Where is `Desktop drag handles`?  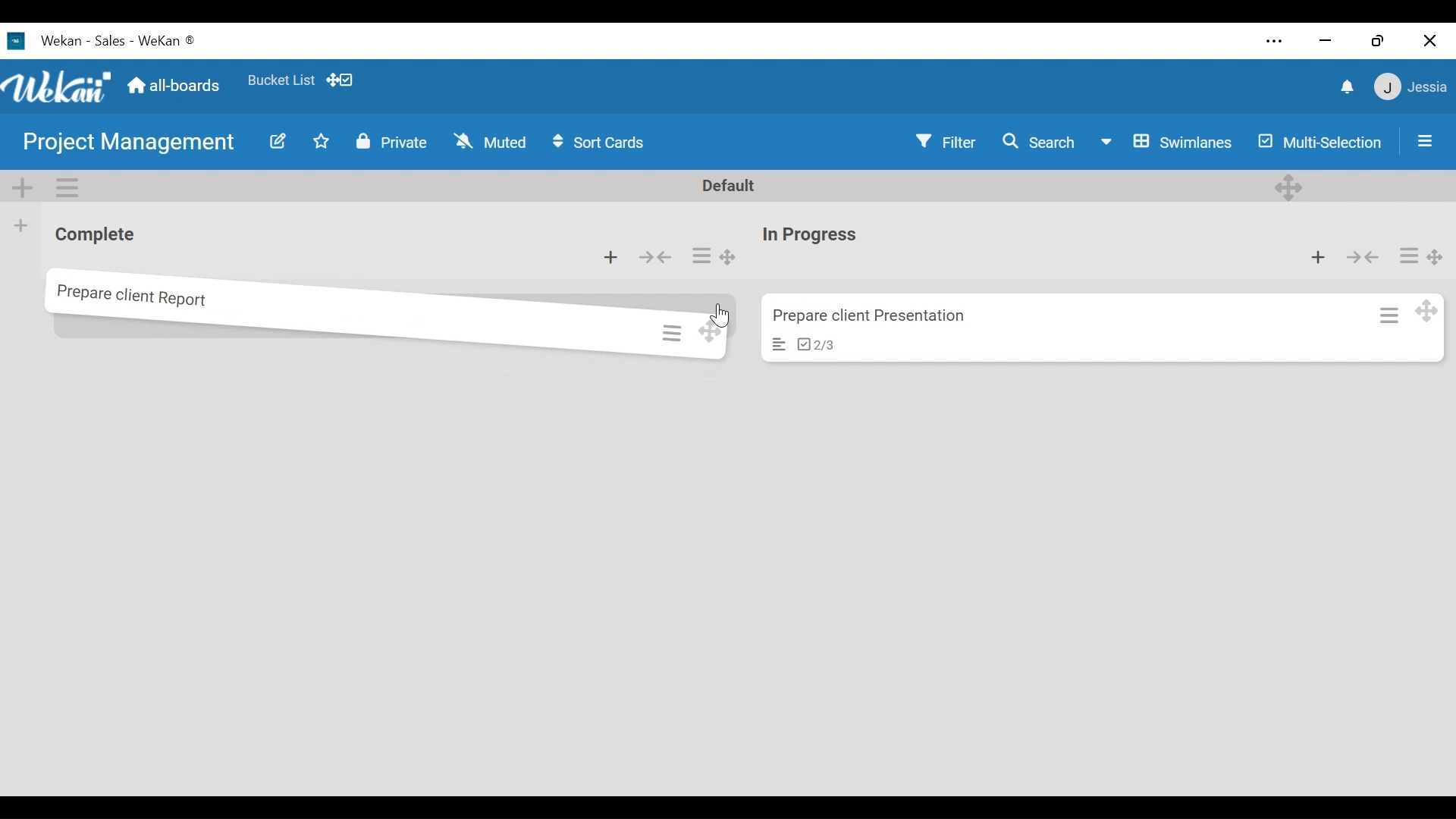
Desktop drag handles is located at coordinates (729, 258).